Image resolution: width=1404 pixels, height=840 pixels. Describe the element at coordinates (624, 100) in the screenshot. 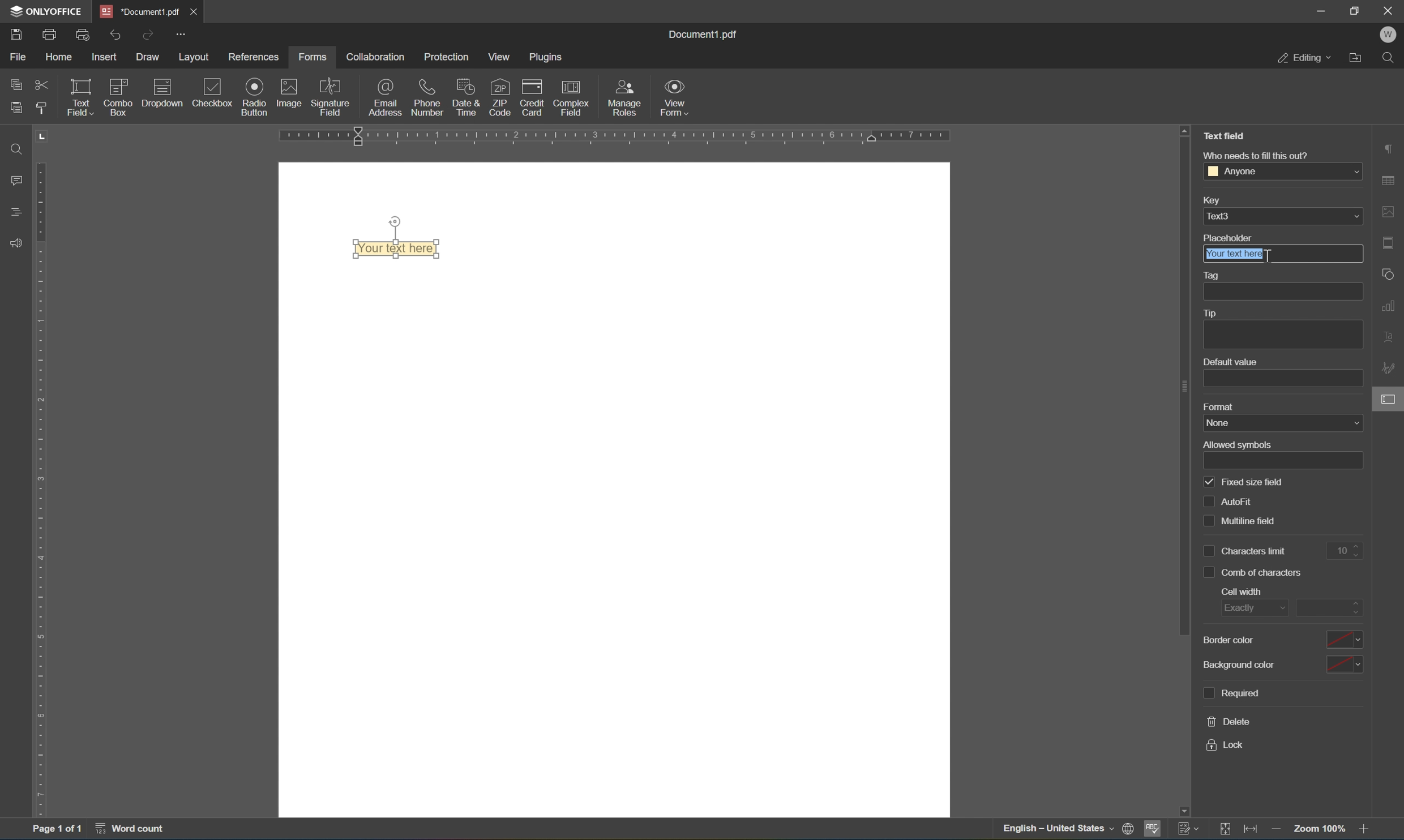

I see `manage roles` at that location.